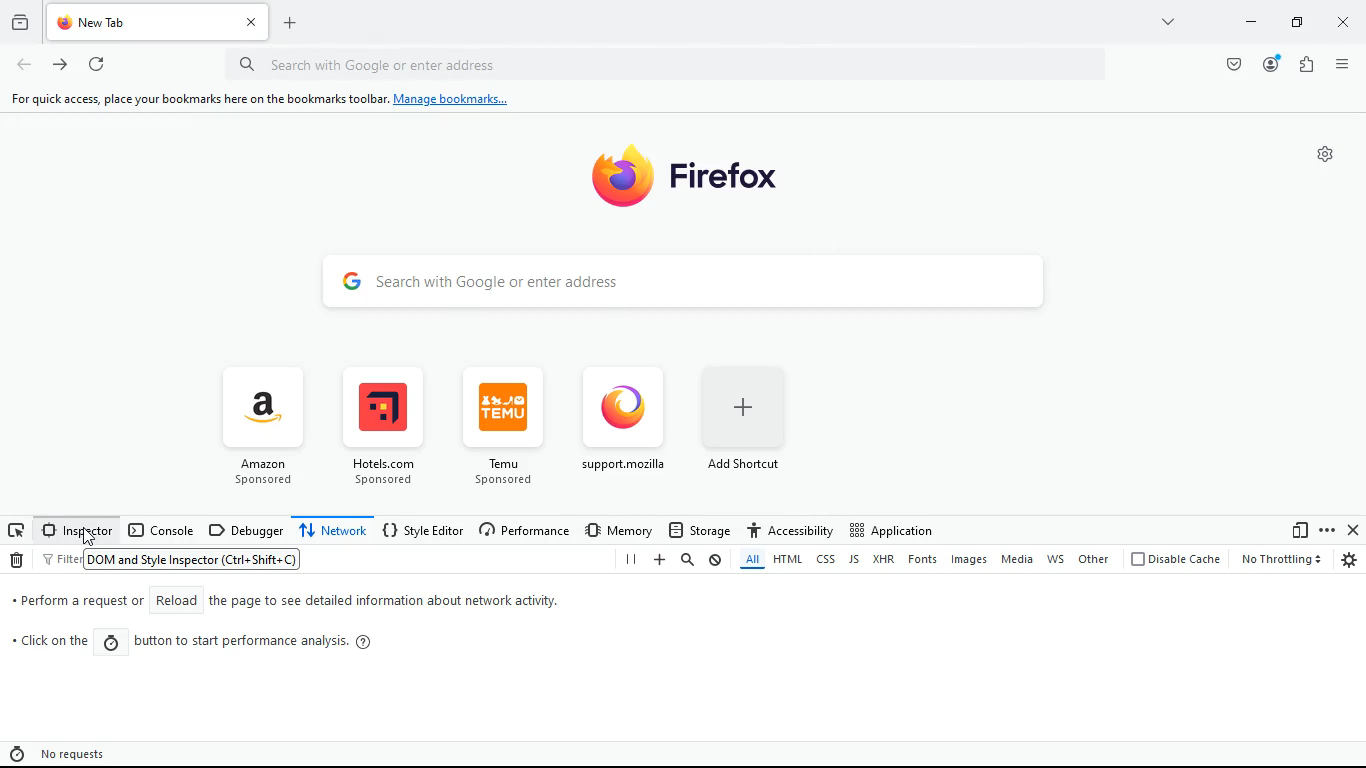 The height and width of the screenshot is (768, 1366). Describe the element at coordinates (499, 280) in the screenshot. I see `Search with Google or enter address` at that location.